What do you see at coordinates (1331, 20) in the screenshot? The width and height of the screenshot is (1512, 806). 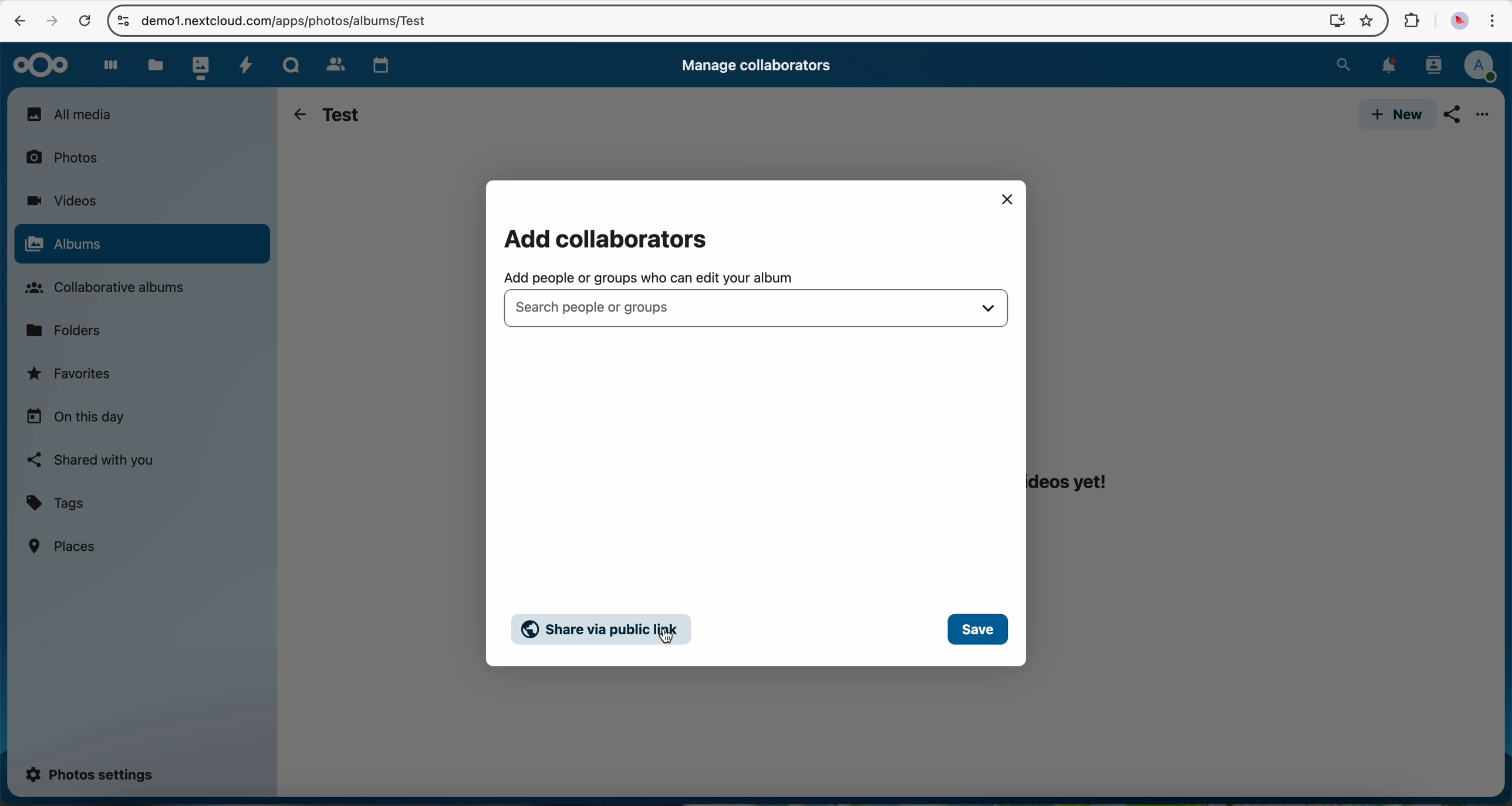 I see `screen` at bounding box center [1331, 20].